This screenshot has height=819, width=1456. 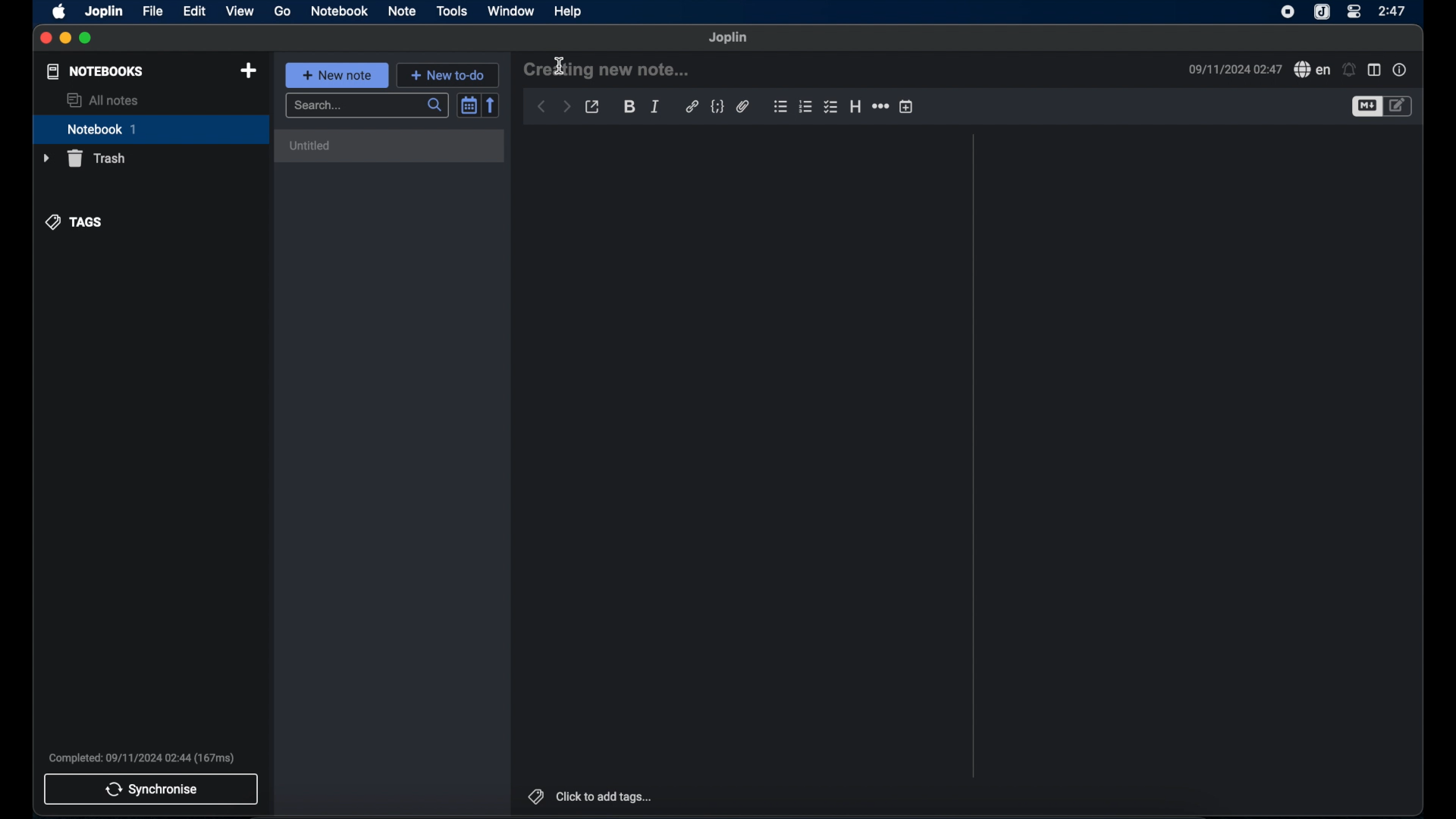 What do you see at coordinates (151, 130) in the screenshot?
I see `notebook` at bounding box center [151, 130].